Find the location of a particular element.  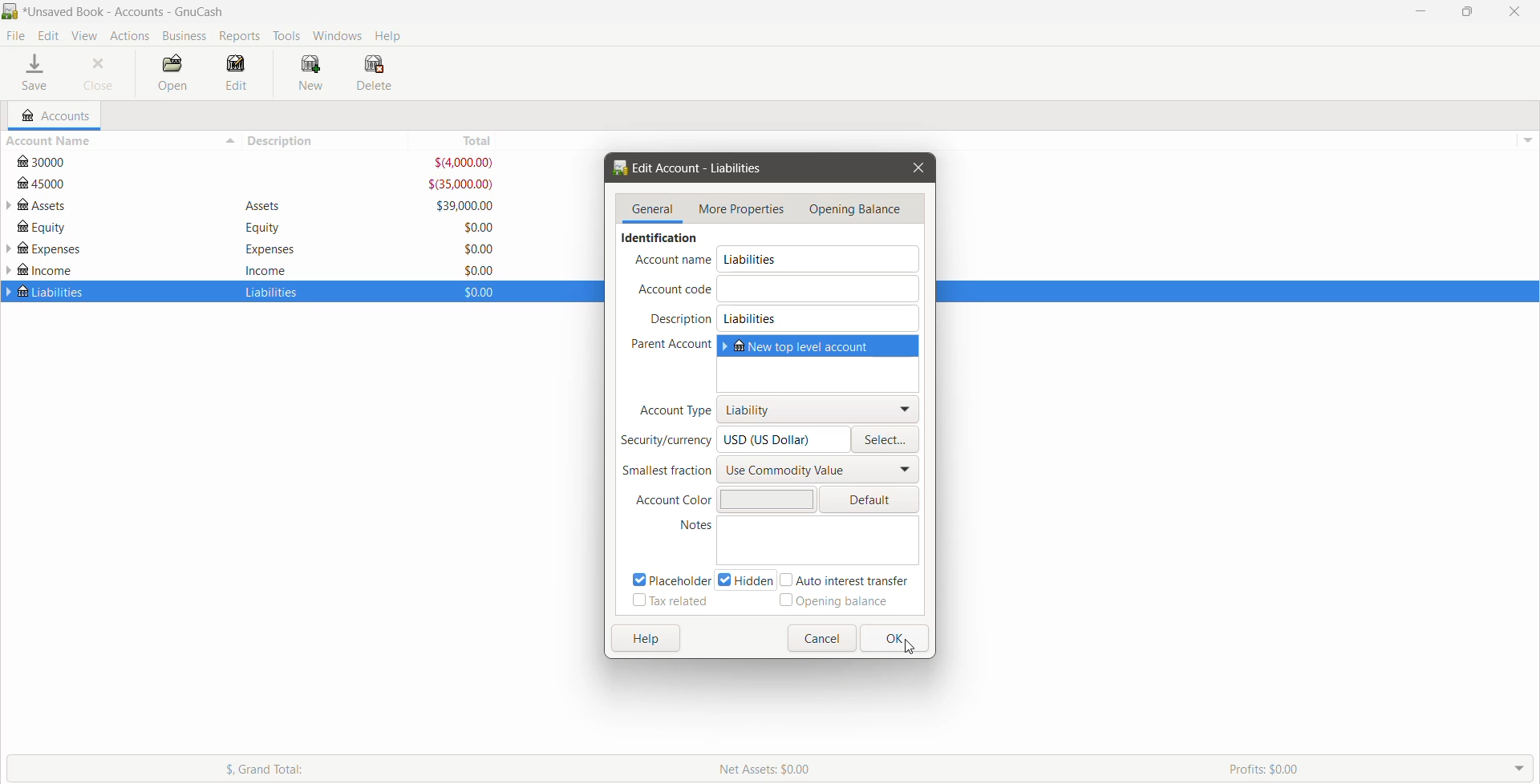

expand subaccounts is located at coordinates (10, 292).